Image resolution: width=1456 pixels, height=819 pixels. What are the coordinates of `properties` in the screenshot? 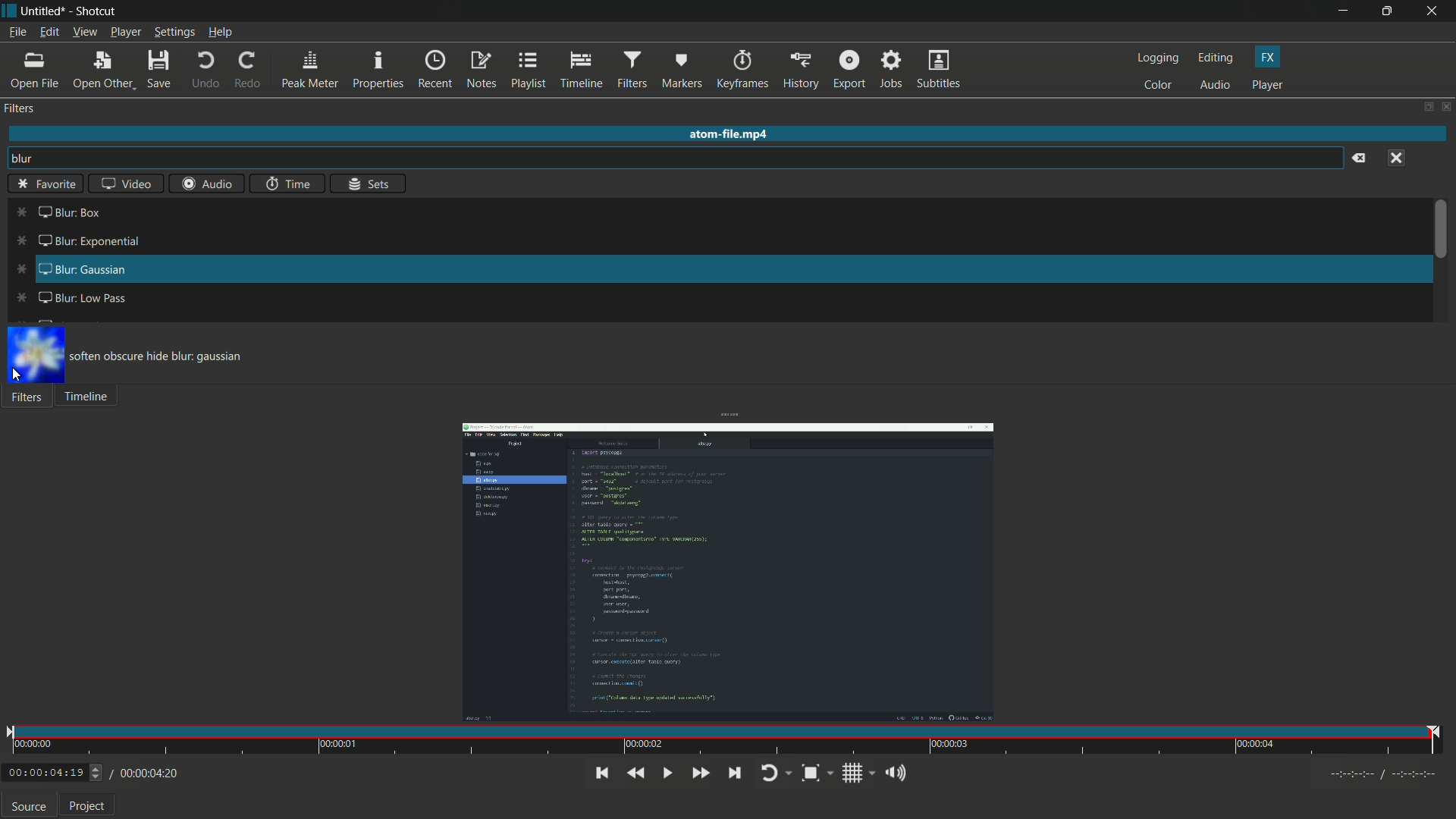 It's located at (377, 71).